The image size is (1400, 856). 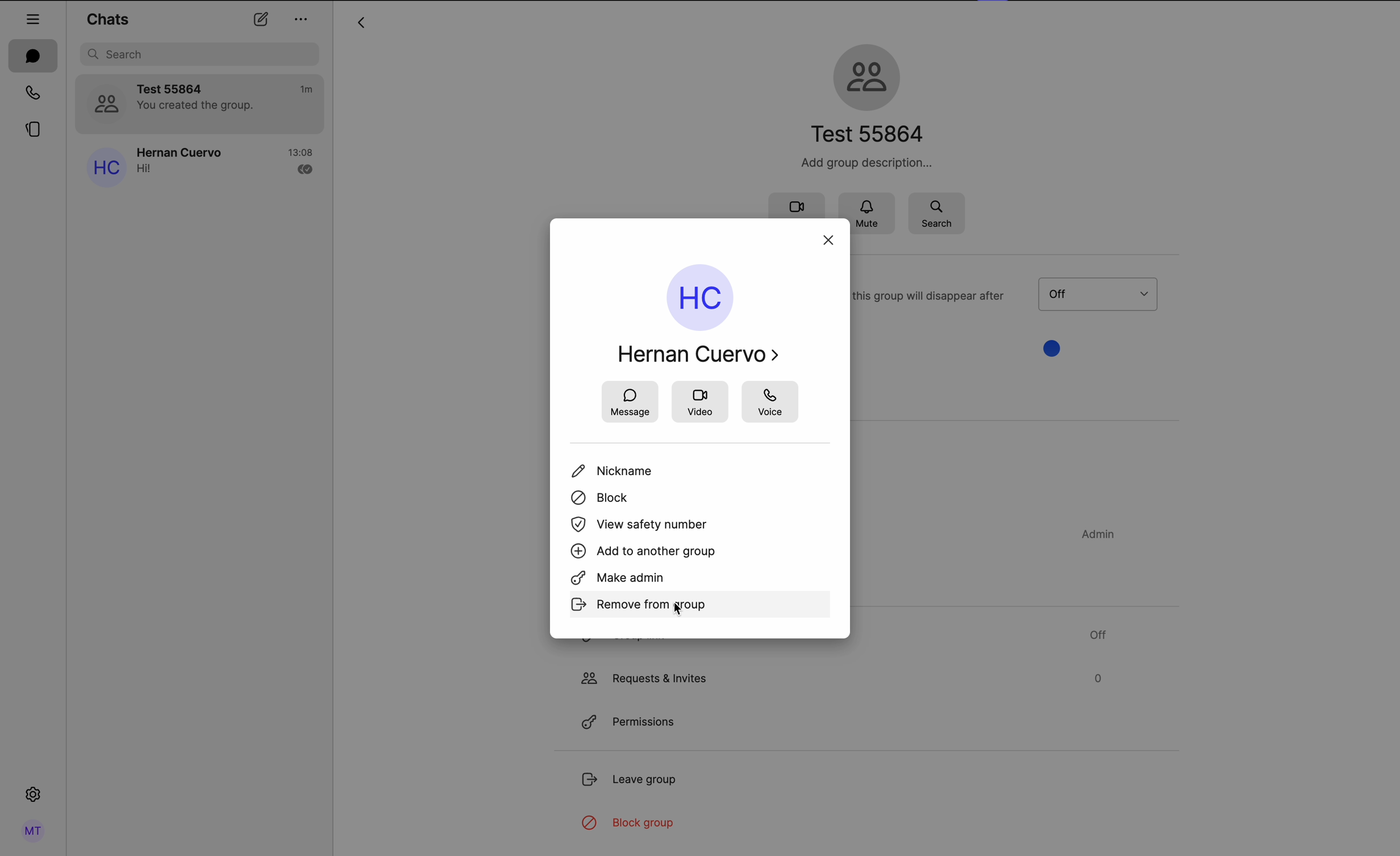 What do you see at coordinates (260, 21) in the screenshot?
I see `new chat` at bounding box center [260, 21].